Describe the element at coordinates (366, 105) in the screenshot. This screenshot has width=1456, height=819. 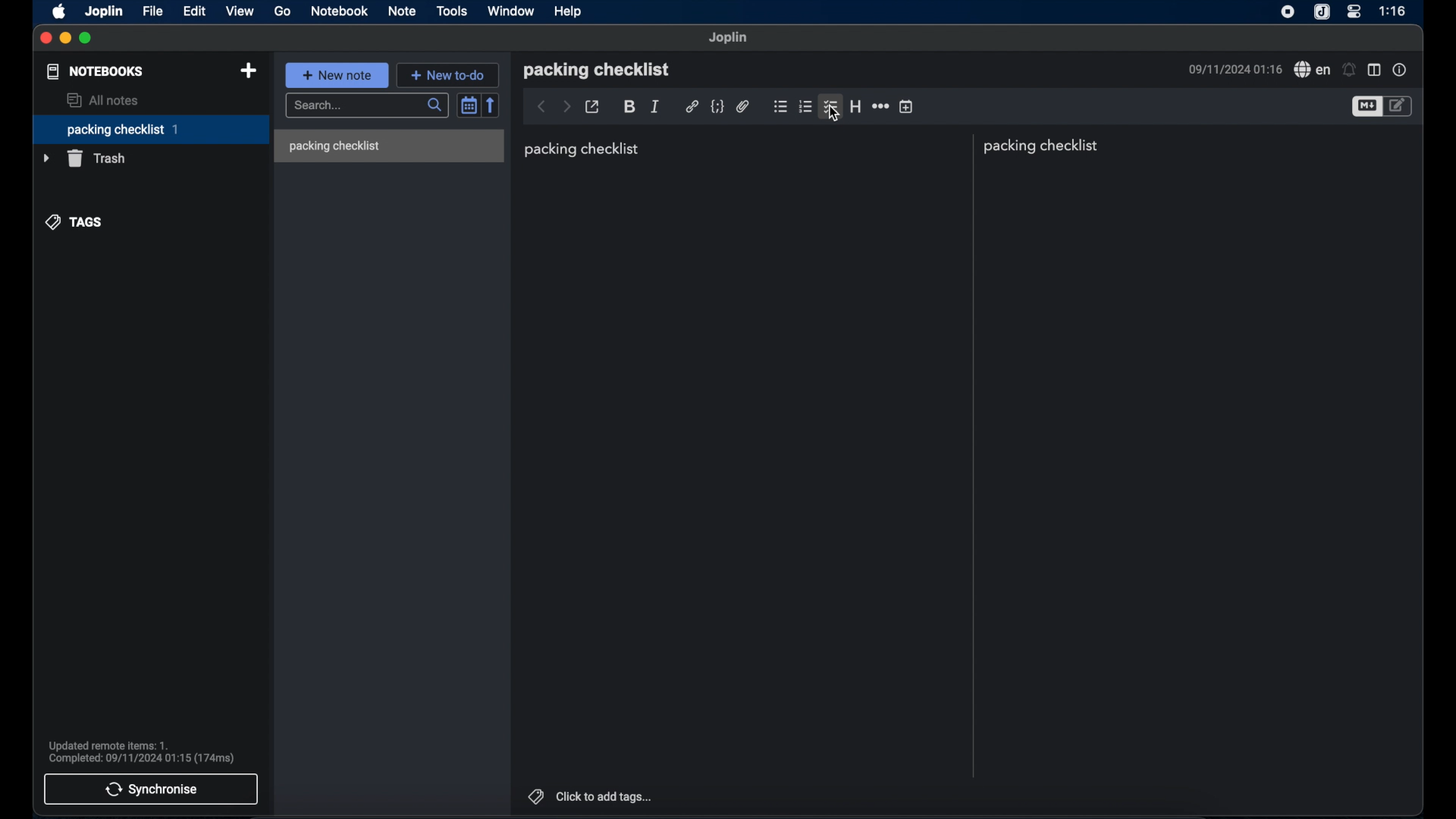
I see `search bar` at that location.